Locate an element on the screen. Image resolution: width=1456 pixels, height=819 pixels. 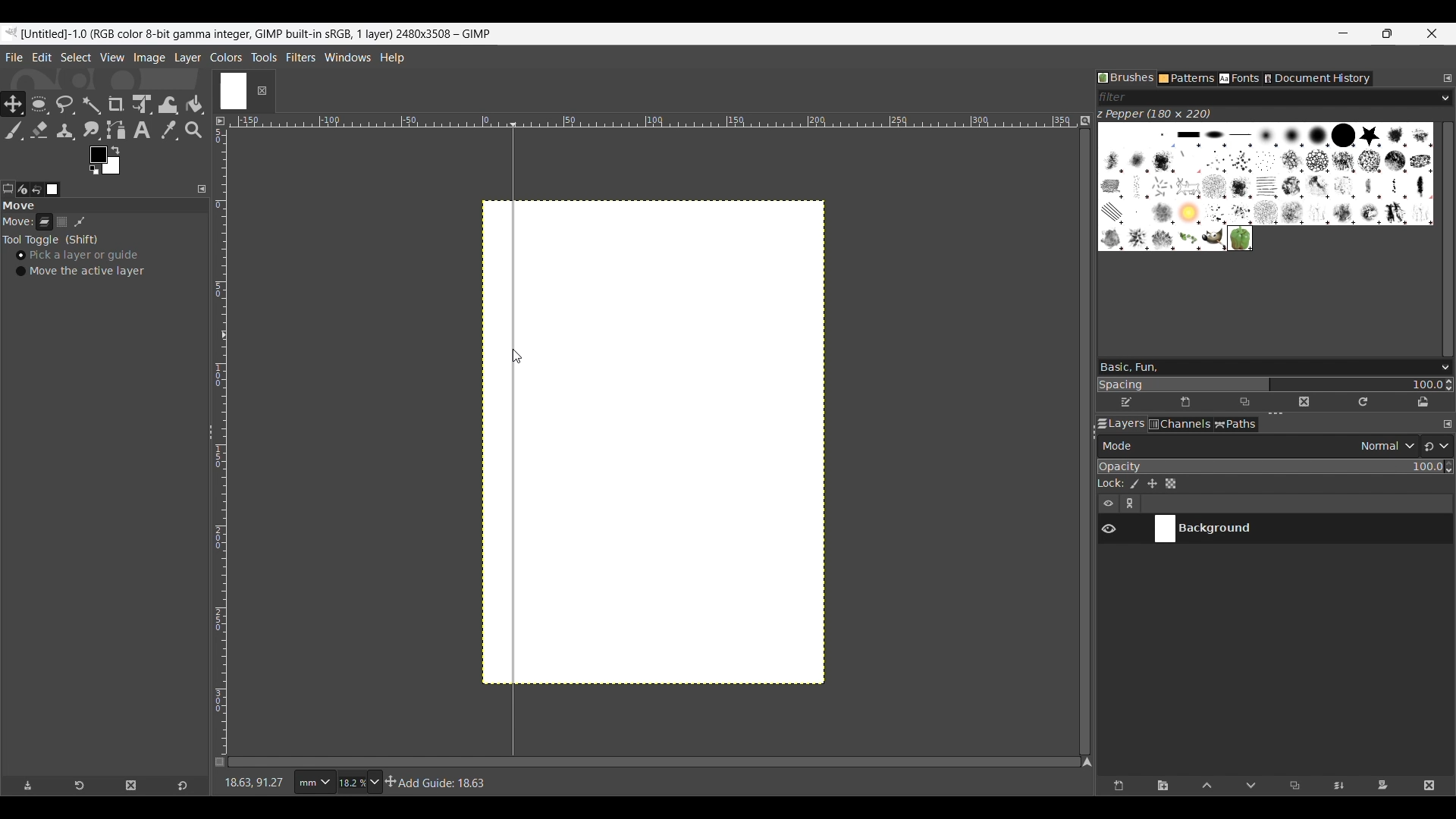
Create a new layer is located at coordinates (1118, 786).